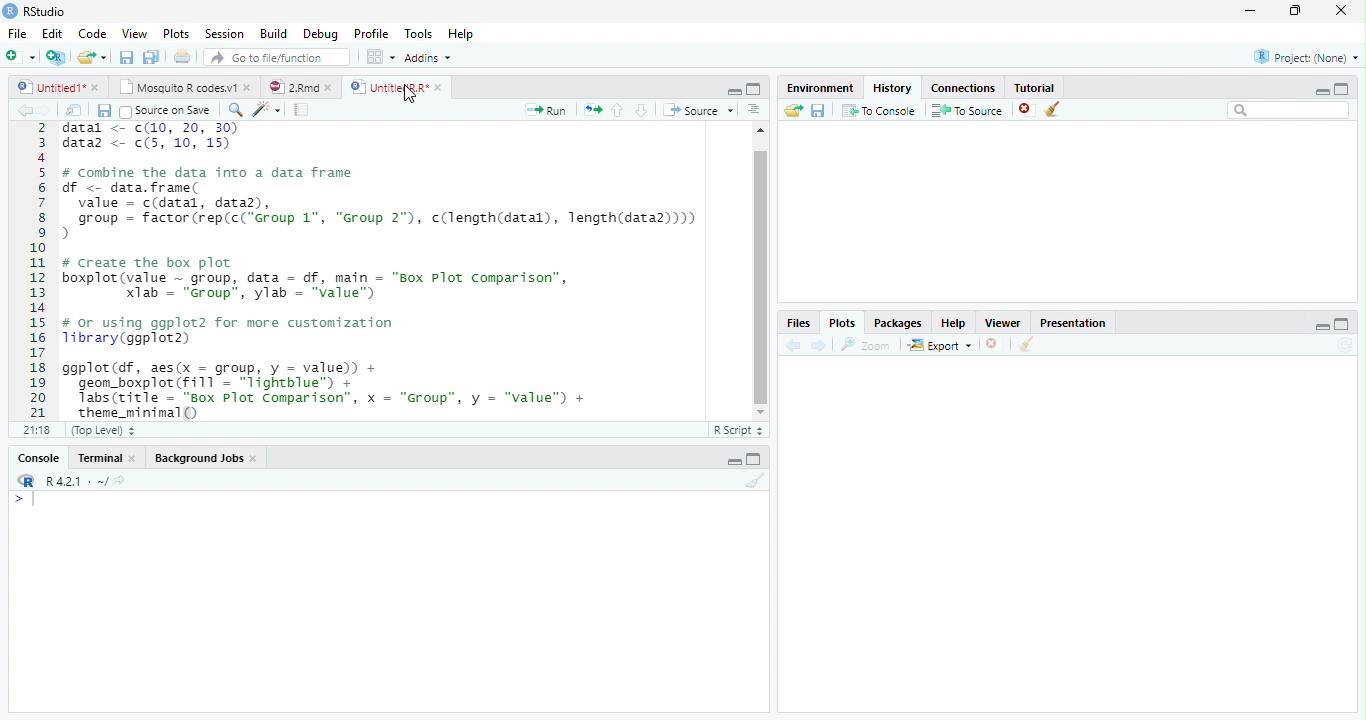 This screenshot has height=720, width=1366. I want to click on Go back to previous source location, so click(24, 110).